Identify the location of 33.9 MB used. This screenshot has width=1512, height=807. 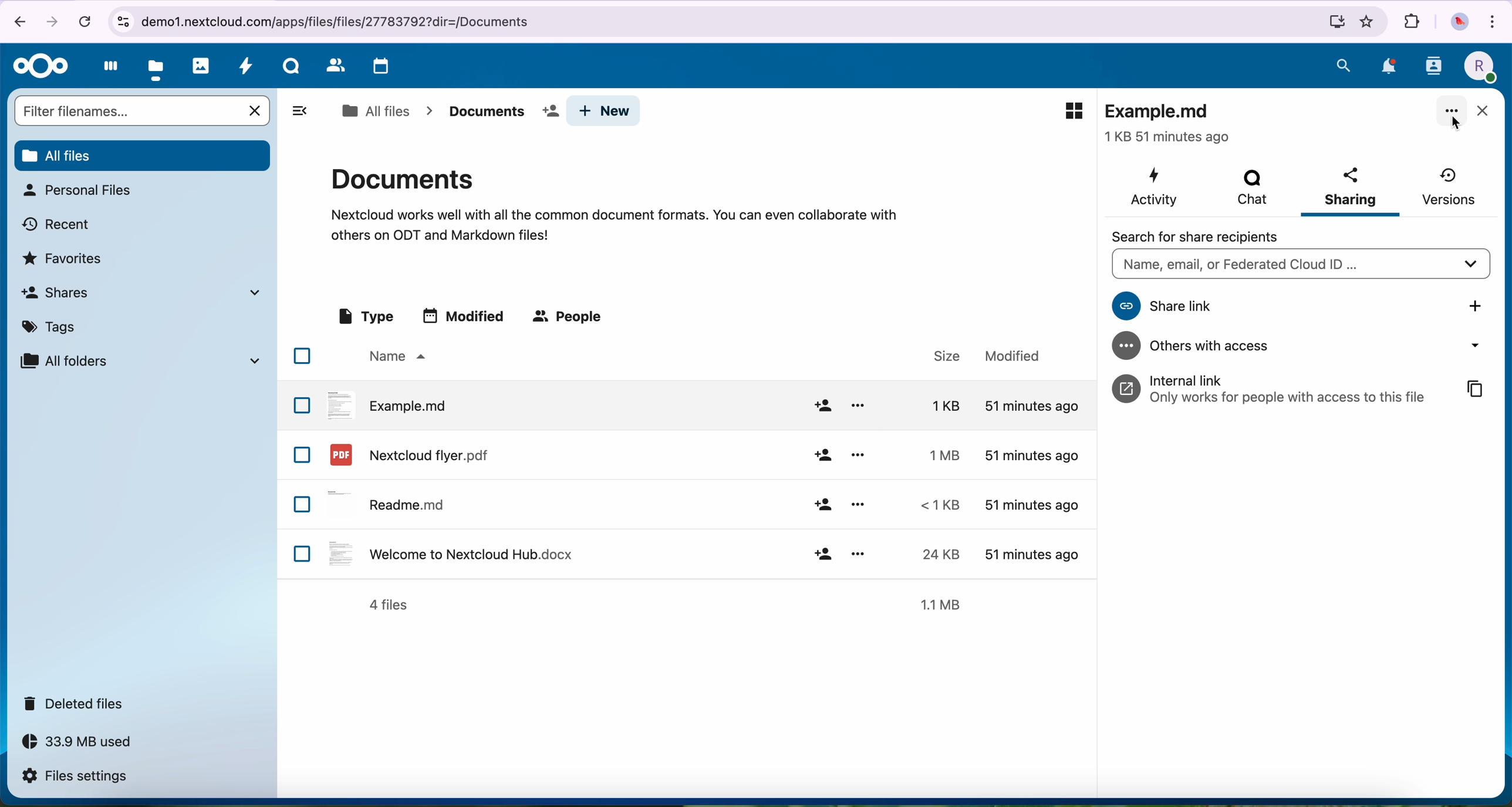
(88, 745).